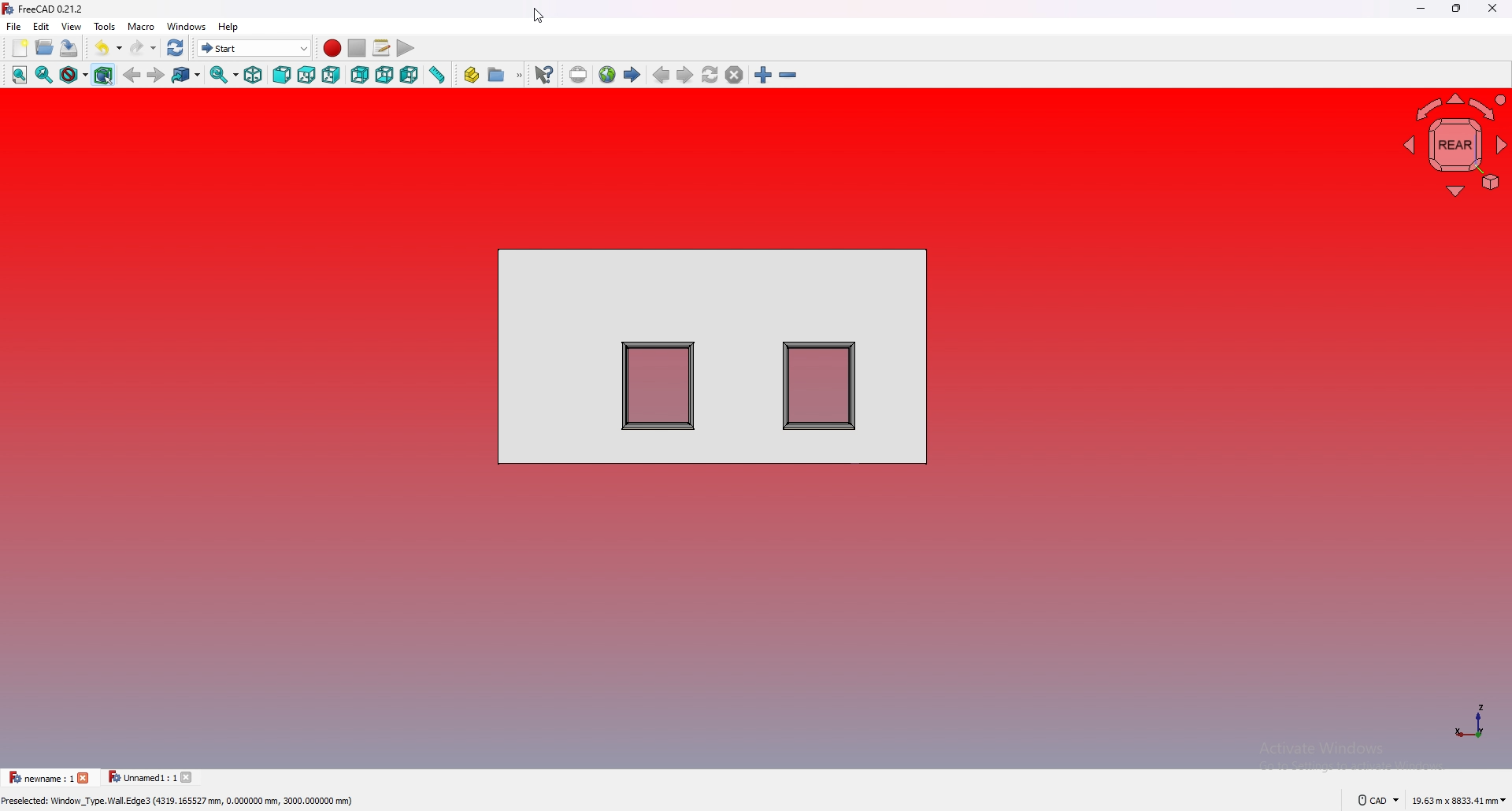 This screenshot has width=1512, height=811. What do you see at coordinates (332, 76) in the screenshot?
I see `right` at bounding box center [332, 76].